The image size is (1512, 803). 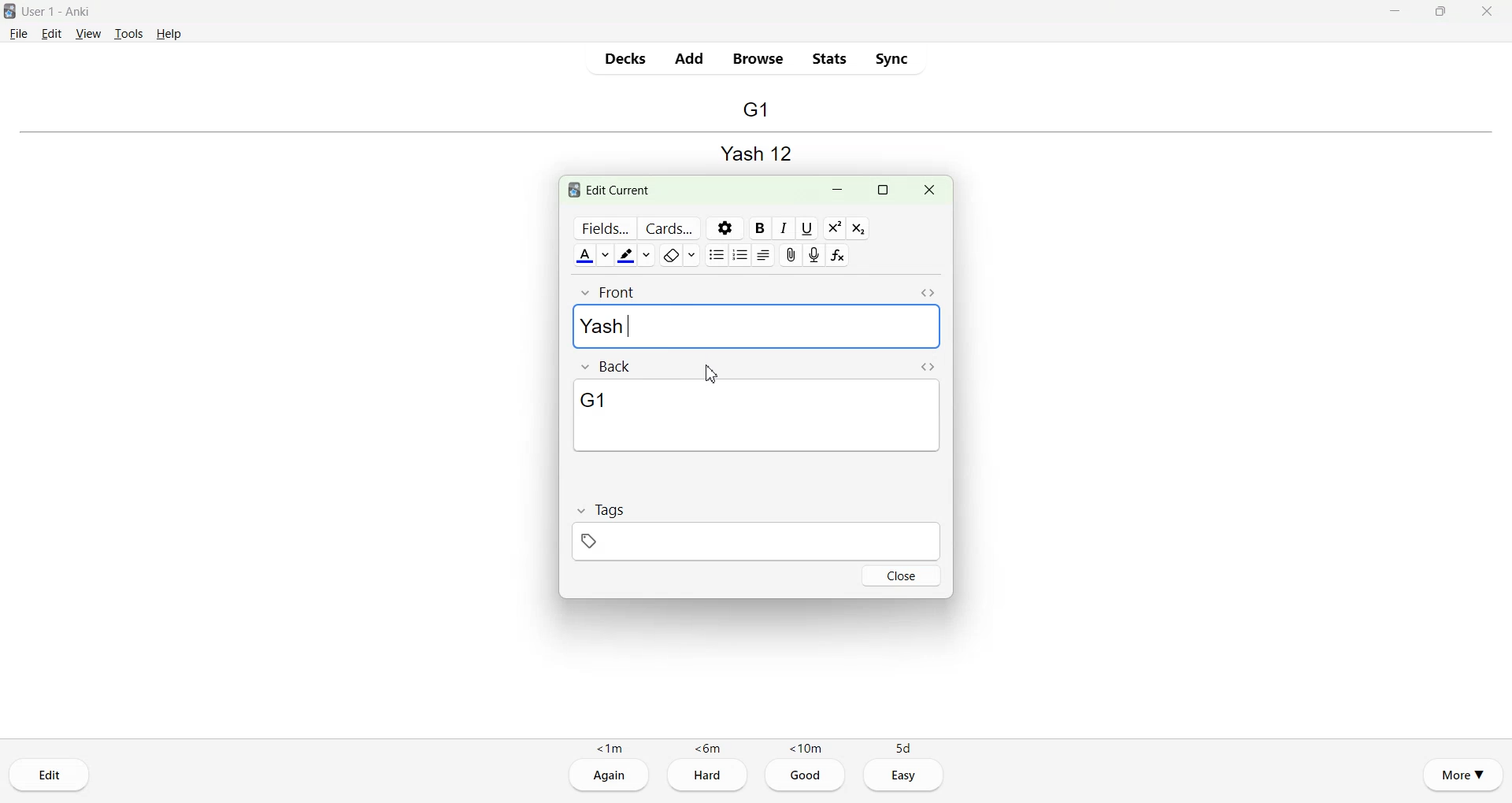 What do you see at coordinates (609, 367) in the screenshot?
I see `Back` at bounding box center [609, 367].